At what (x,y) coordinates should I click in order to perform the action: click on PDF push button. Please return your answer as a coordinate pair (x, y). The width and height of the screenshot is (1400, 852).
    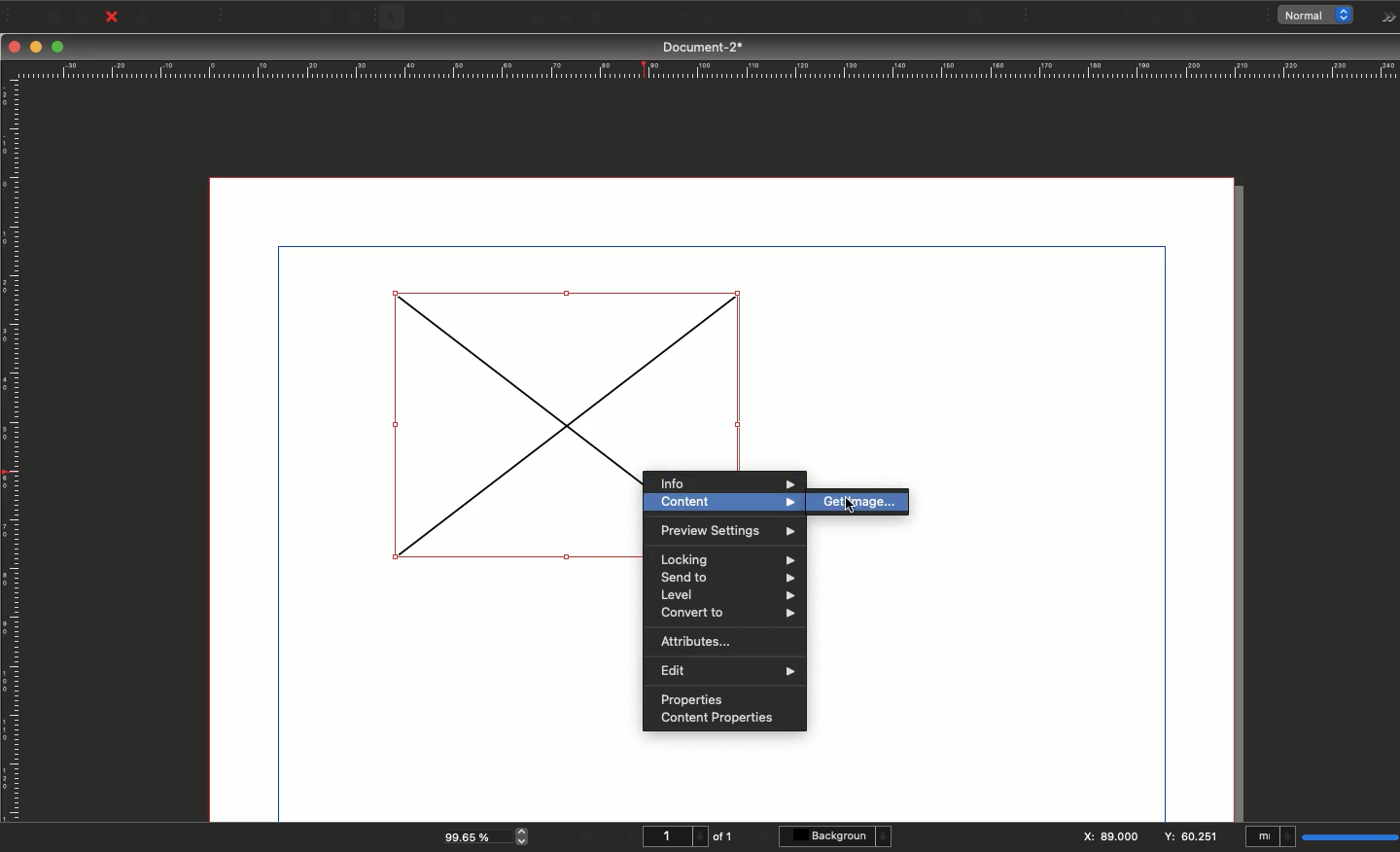
    Looking at the image, I should click on (1040, 17).